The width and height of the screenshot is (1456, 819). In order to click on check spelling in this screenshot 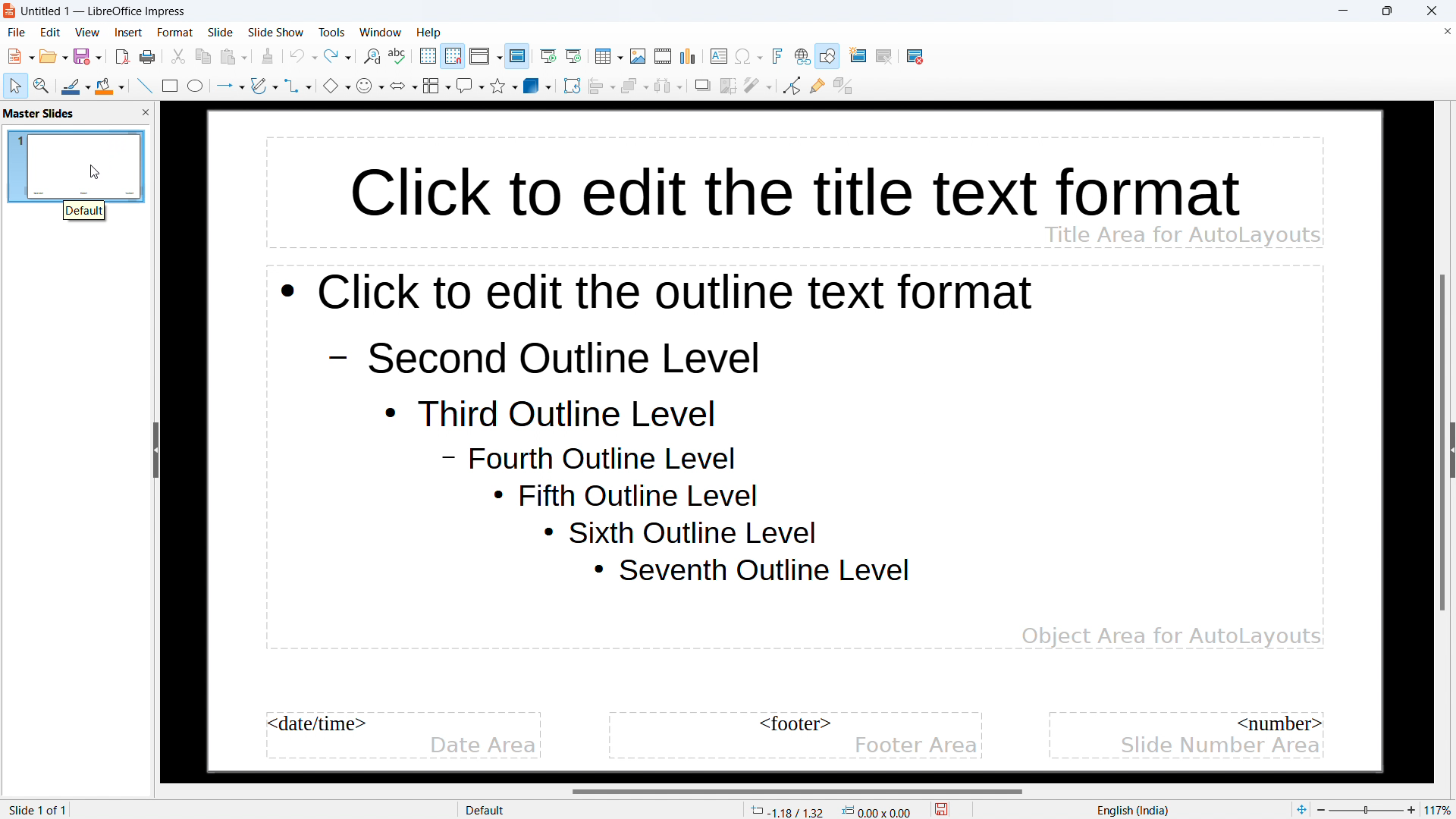, I will do `click(400, 57)`.